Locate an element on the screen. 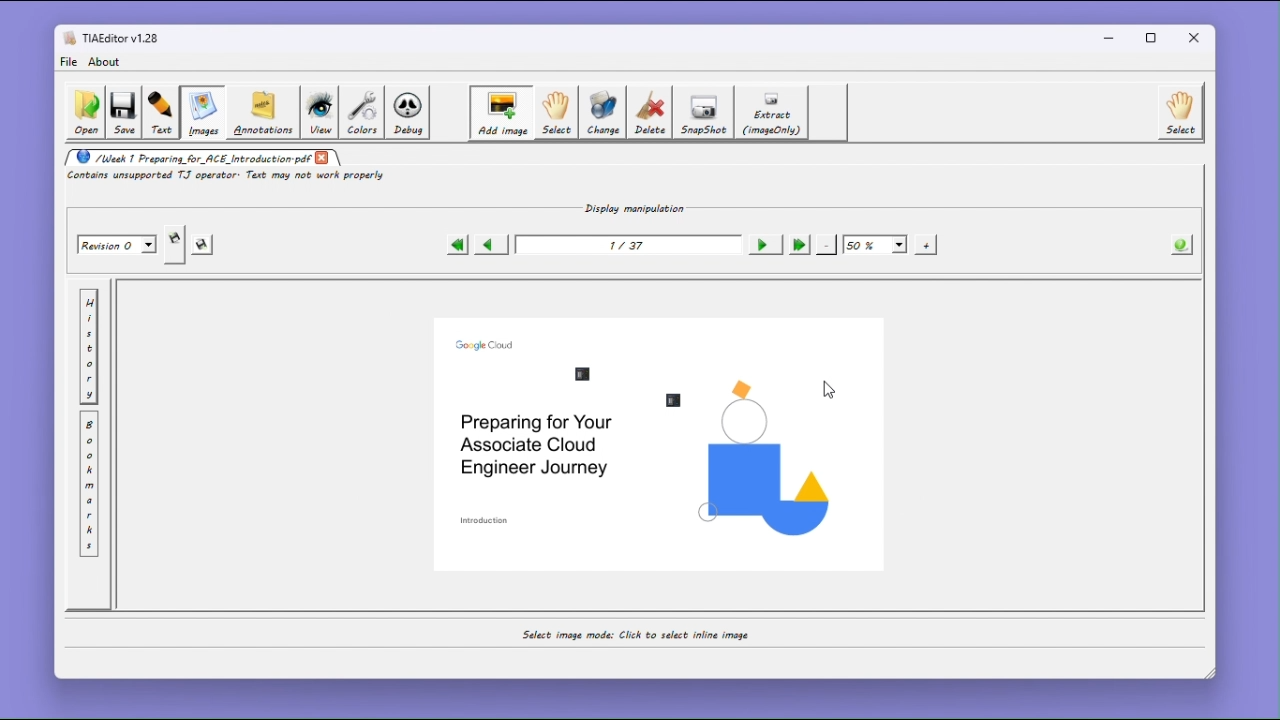  Select  is located at coordinates (555, 113).